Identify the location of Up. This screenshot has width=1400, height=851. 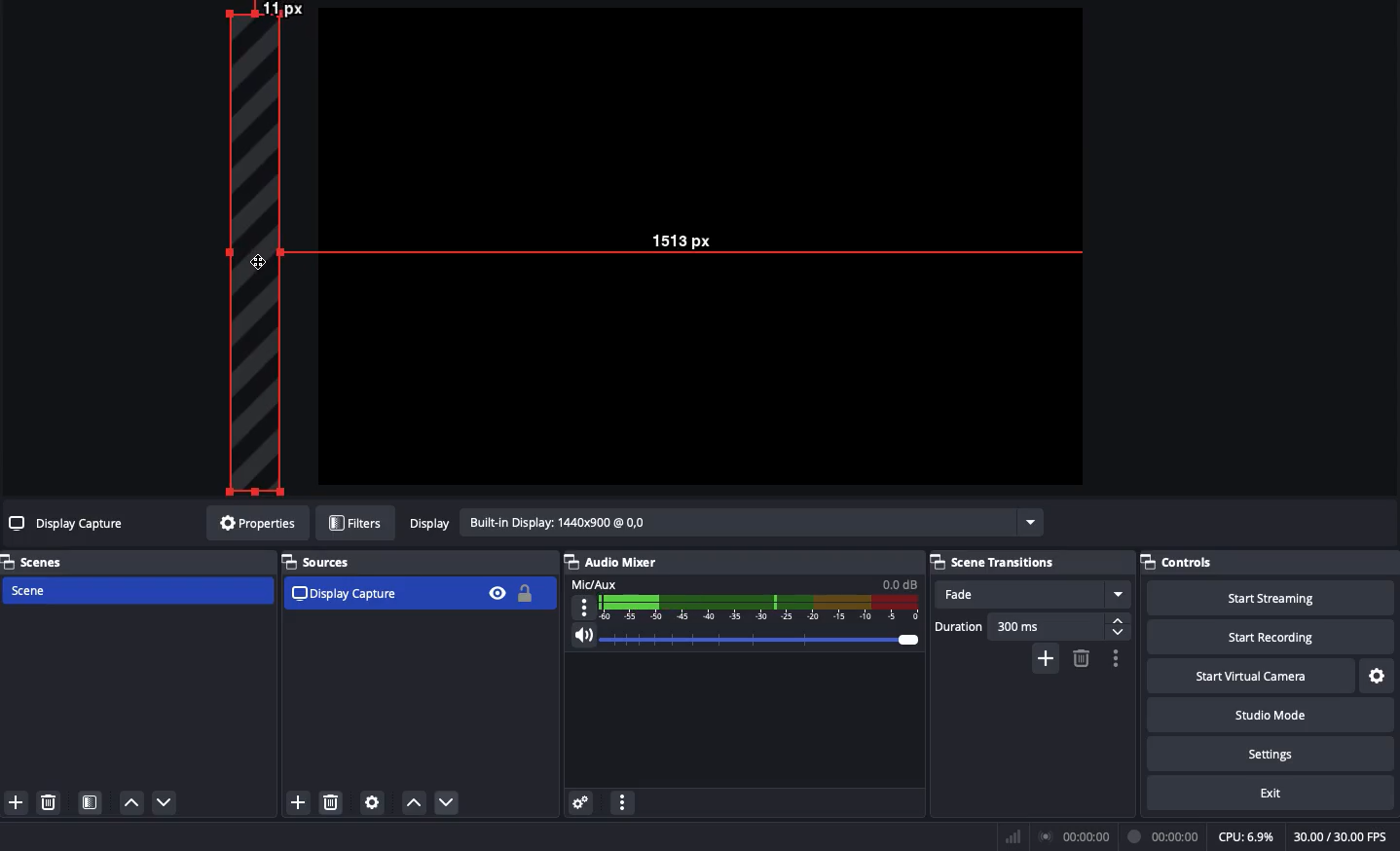
(413, 804).